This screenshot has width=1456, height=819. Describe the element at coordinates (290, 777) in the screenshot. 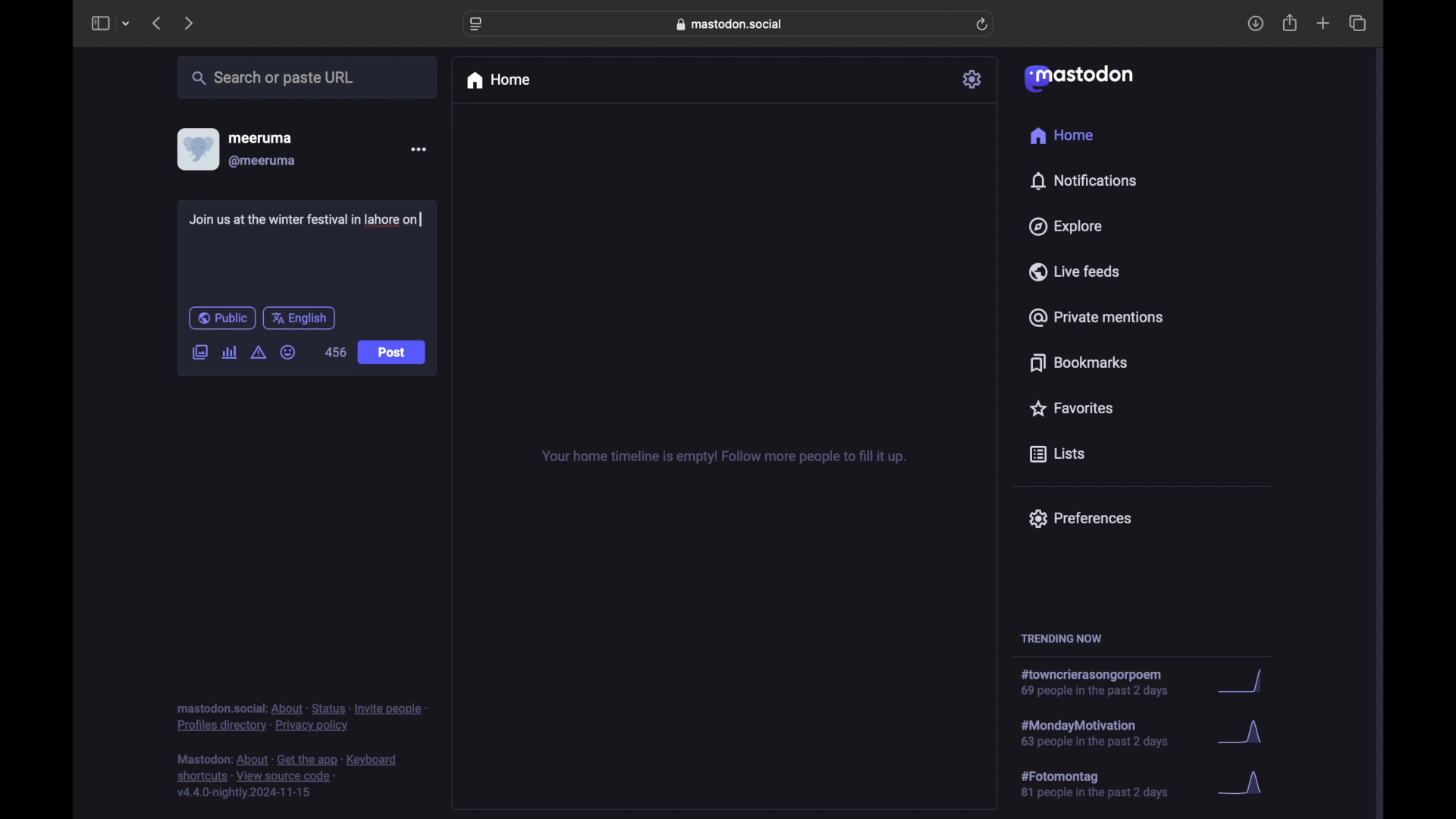

I see `footnote` at that location.